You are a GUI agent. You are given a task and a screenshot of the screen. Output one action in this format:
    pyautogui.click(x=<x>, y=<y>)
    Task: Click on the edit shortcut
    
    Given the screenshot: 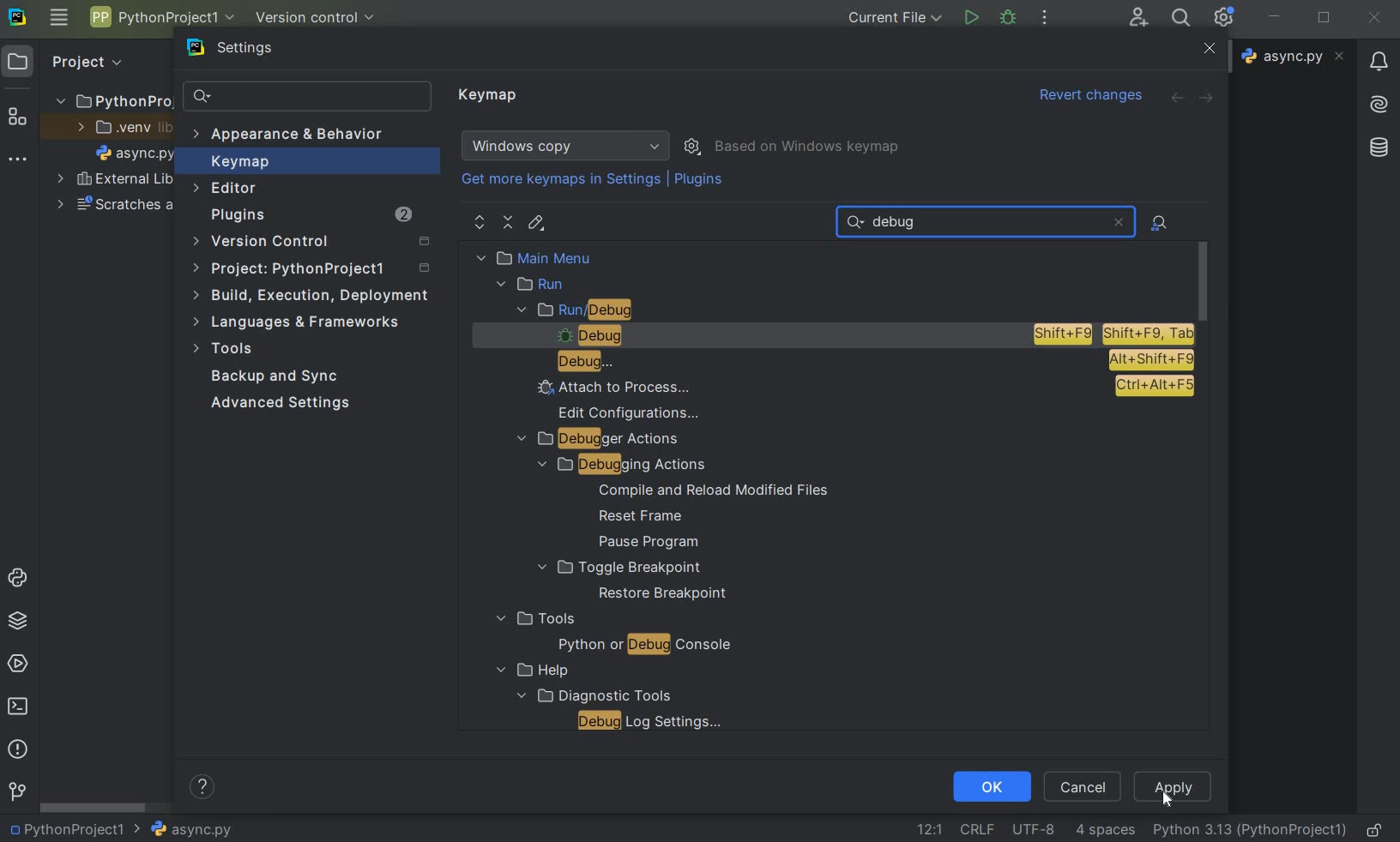 What is the action you would take?
    pyautogui.click(x=535, y=223)
    